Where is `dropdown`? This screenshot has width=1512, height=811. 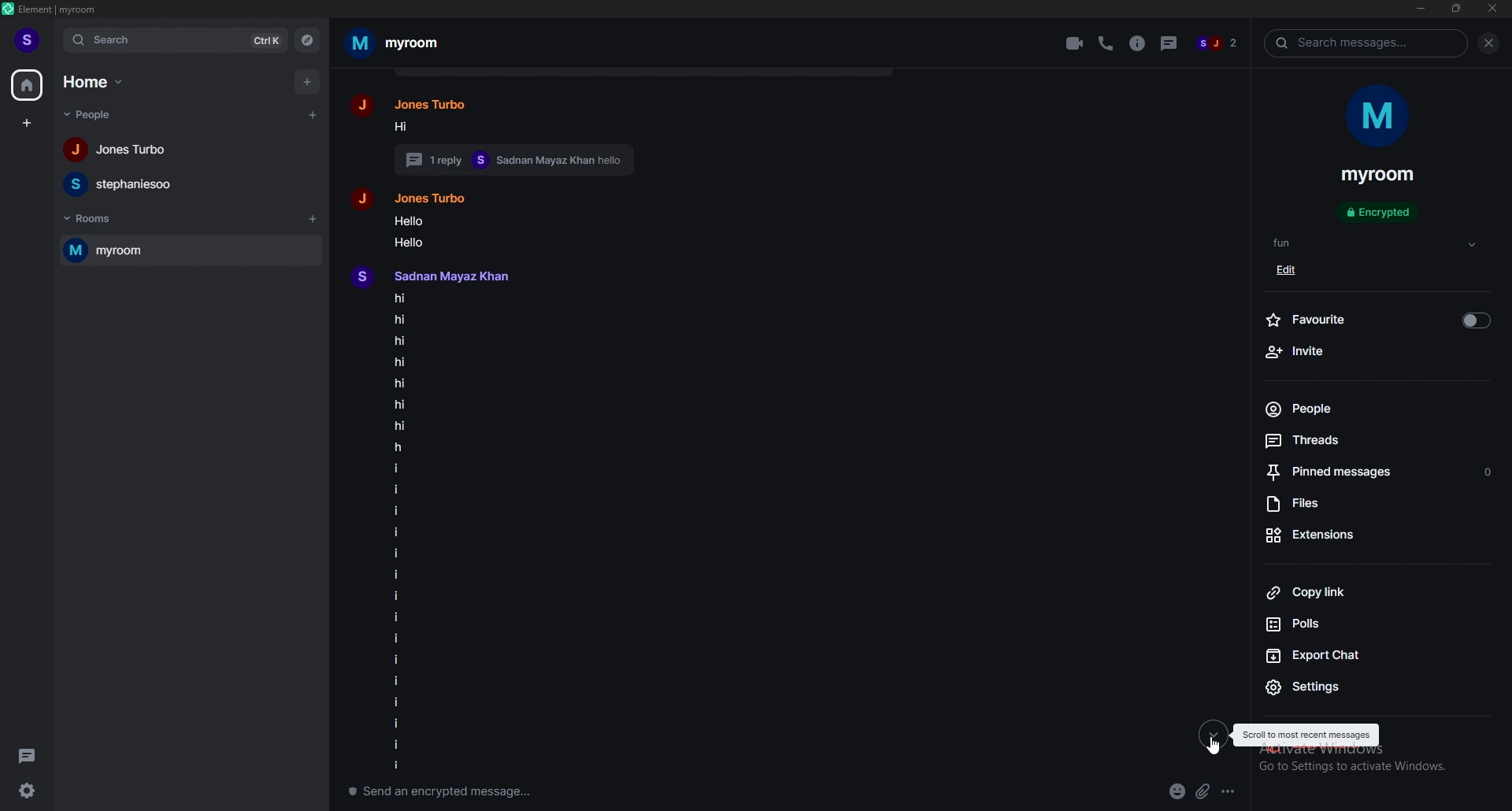
dropdown is located at coordinates (1469, 244).